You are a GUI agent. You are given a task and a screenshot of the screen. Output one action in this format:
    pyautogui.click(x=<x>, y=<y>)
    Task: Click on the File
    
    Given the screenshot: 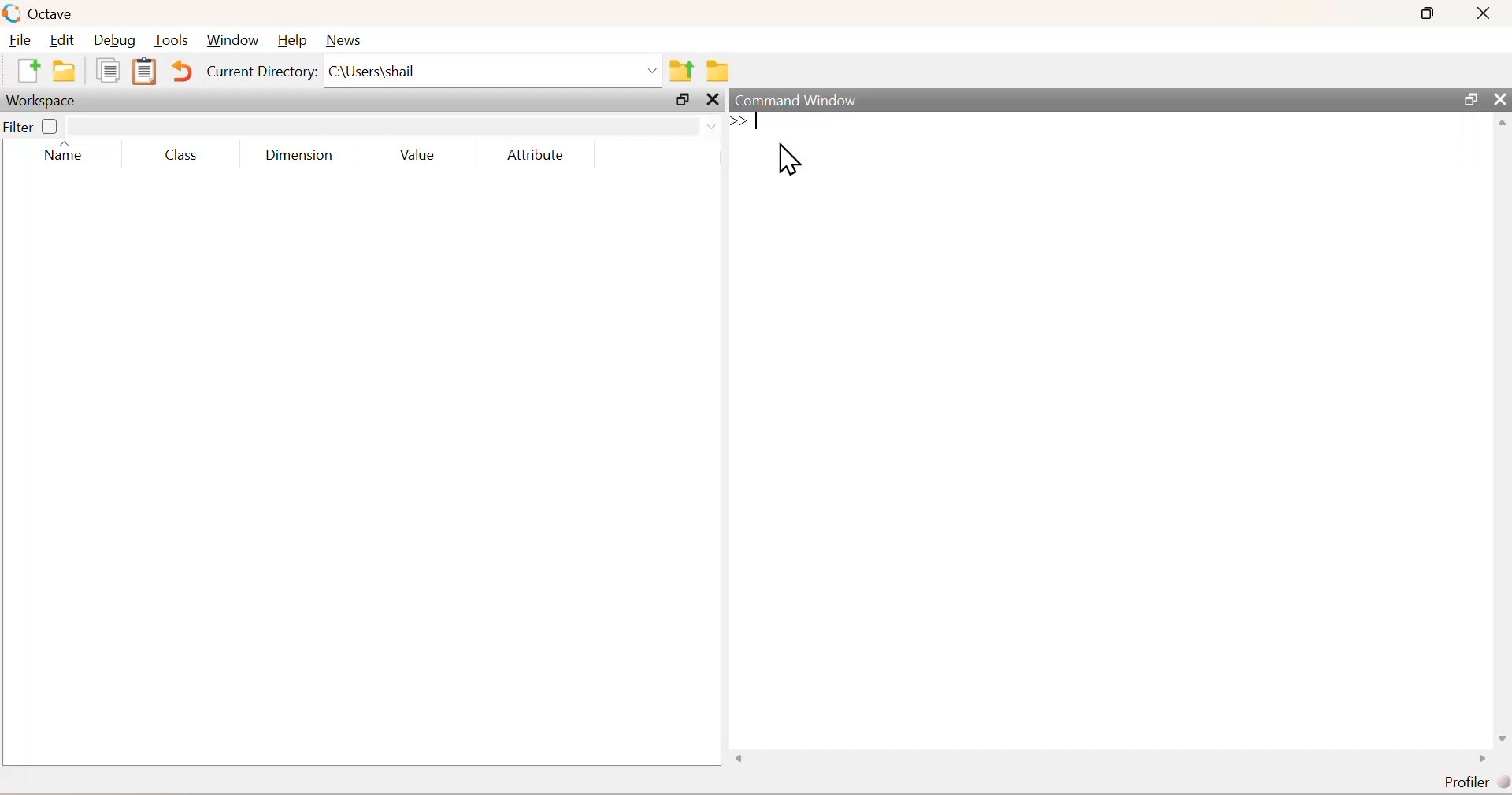 What is the action you would take?
    pyautogui.click(x=20, y=40)
    